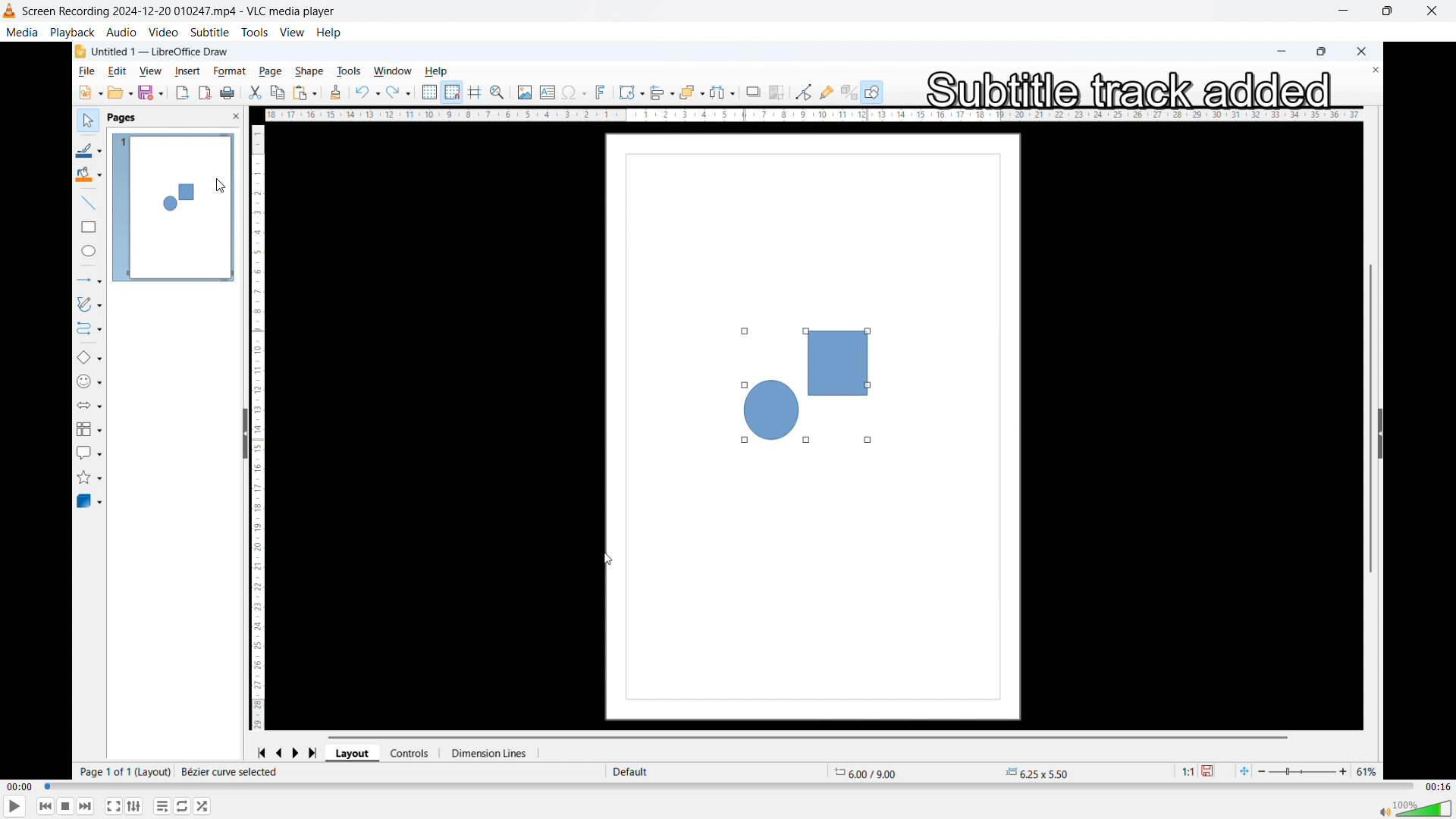  What do you see at coordinates (255, 33) in the screenshot?
I see `Tools ` at bounding box center [255, 33].